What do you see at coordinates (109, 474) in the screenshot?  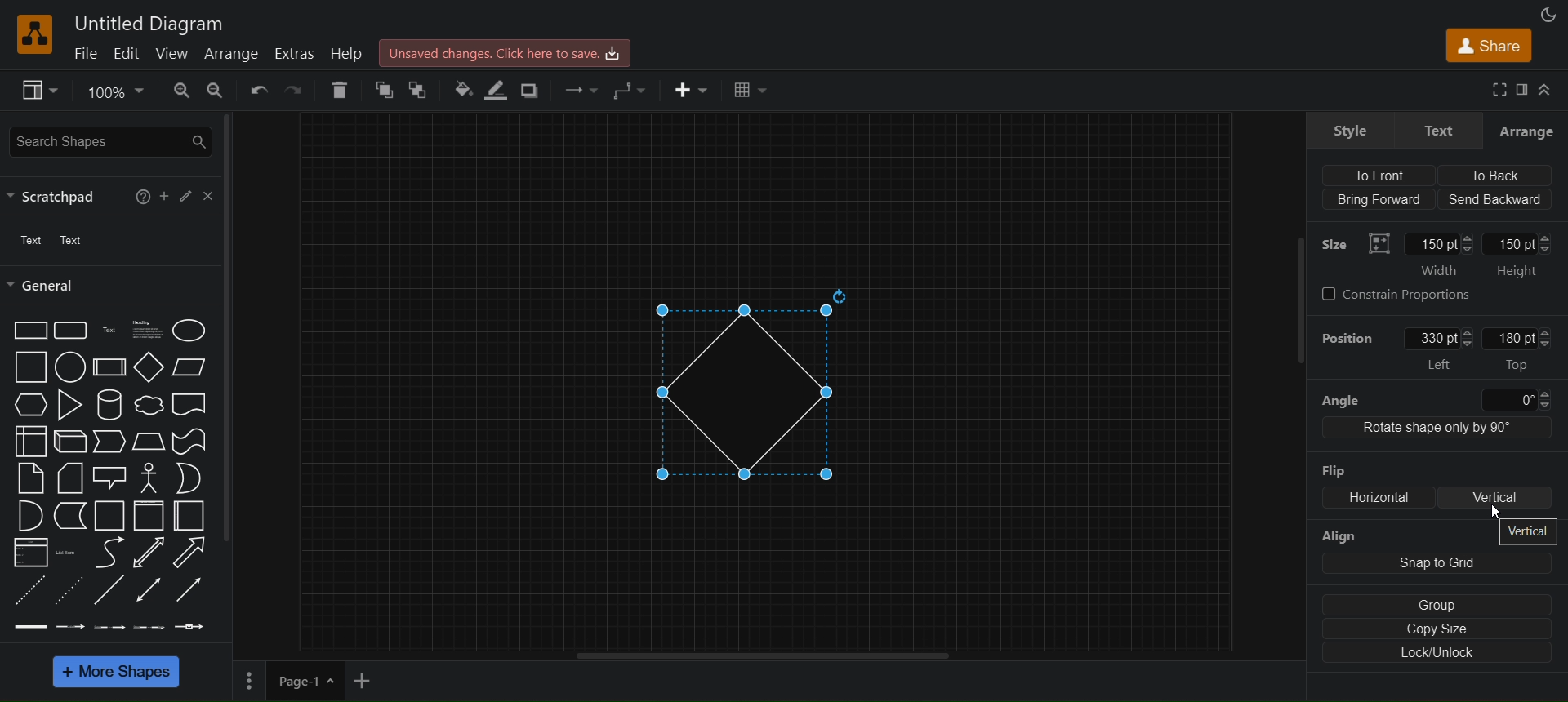 I see `callout` at bounding box center [109, 474].